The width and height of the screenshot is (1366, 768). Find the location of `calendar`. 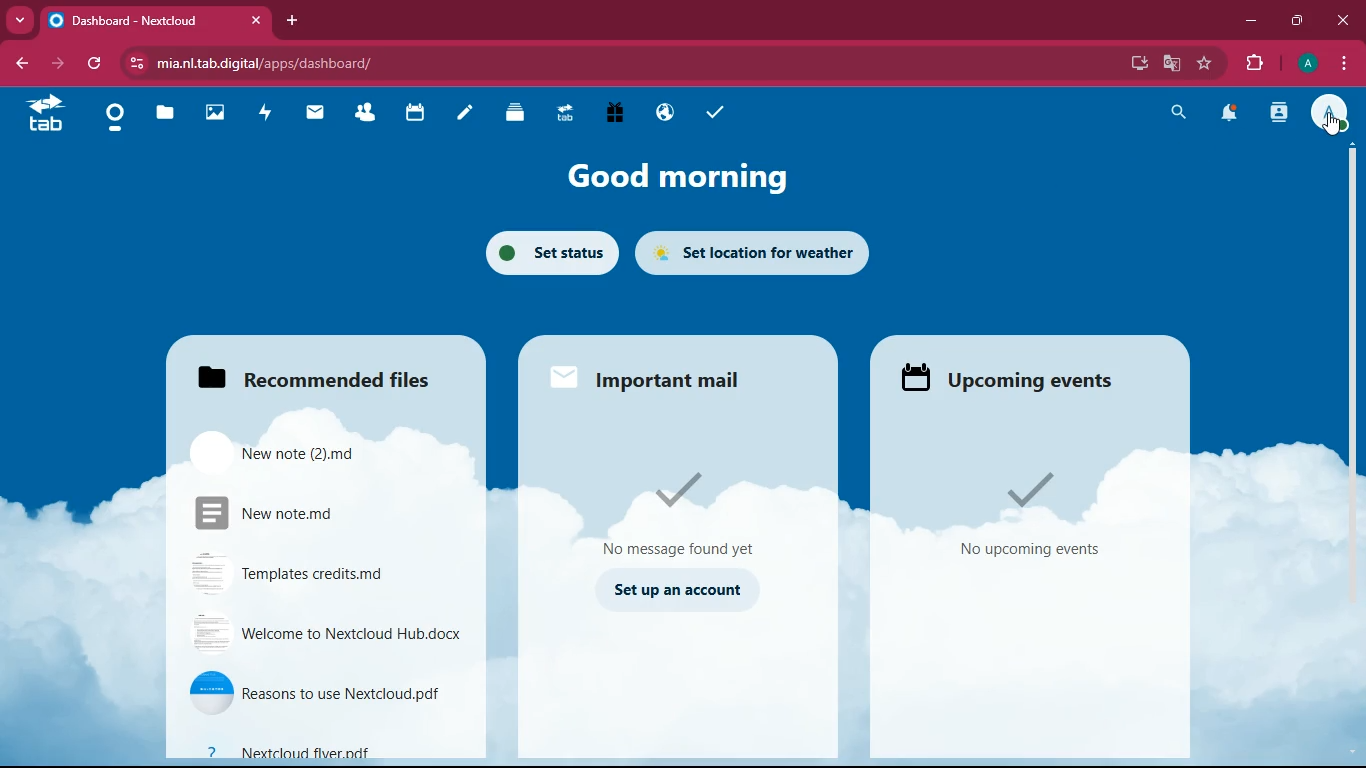

calendar is located at coordinates (415, 114).